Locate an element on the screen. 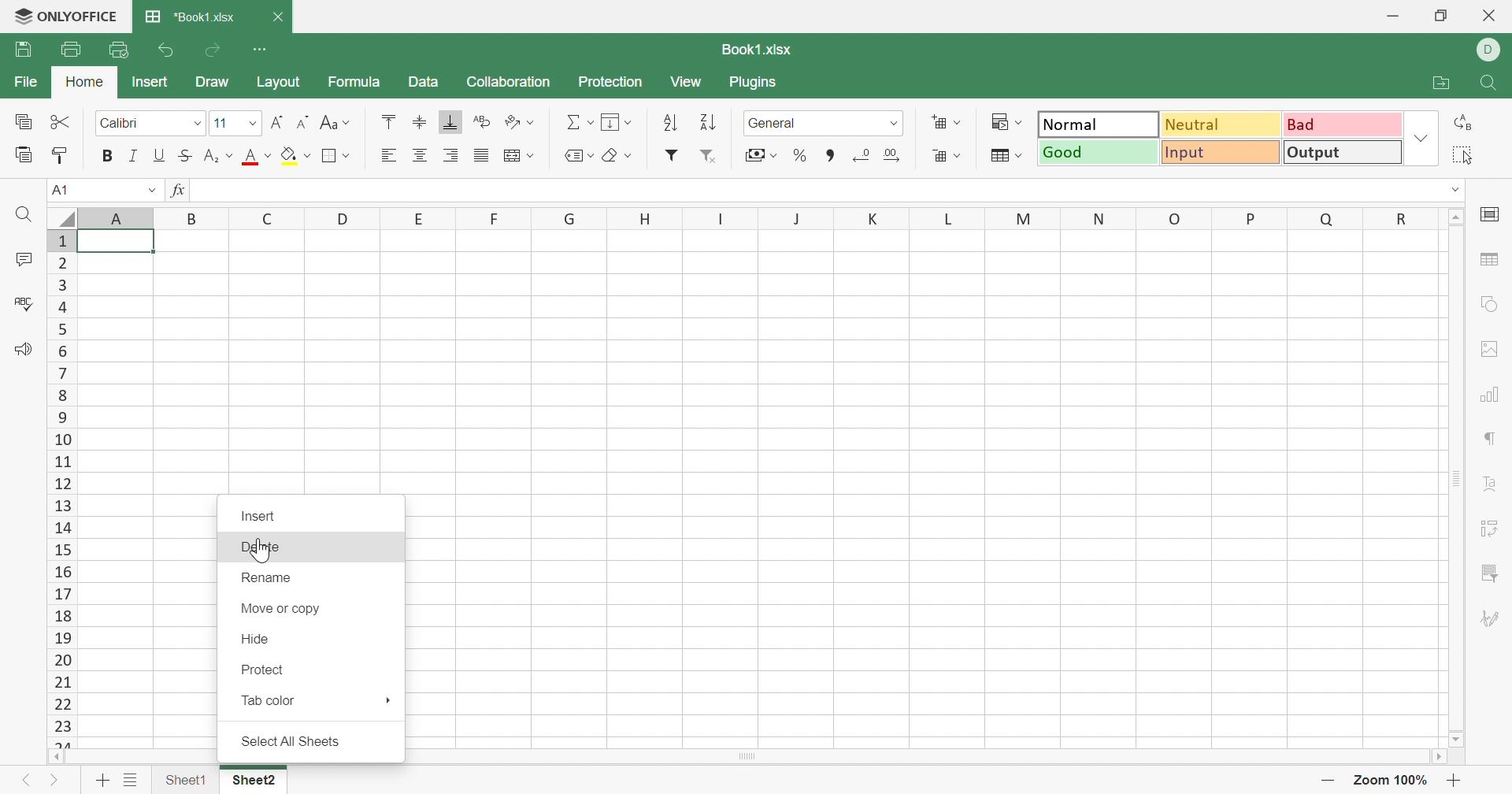  File is located at coordinates (22, 80).